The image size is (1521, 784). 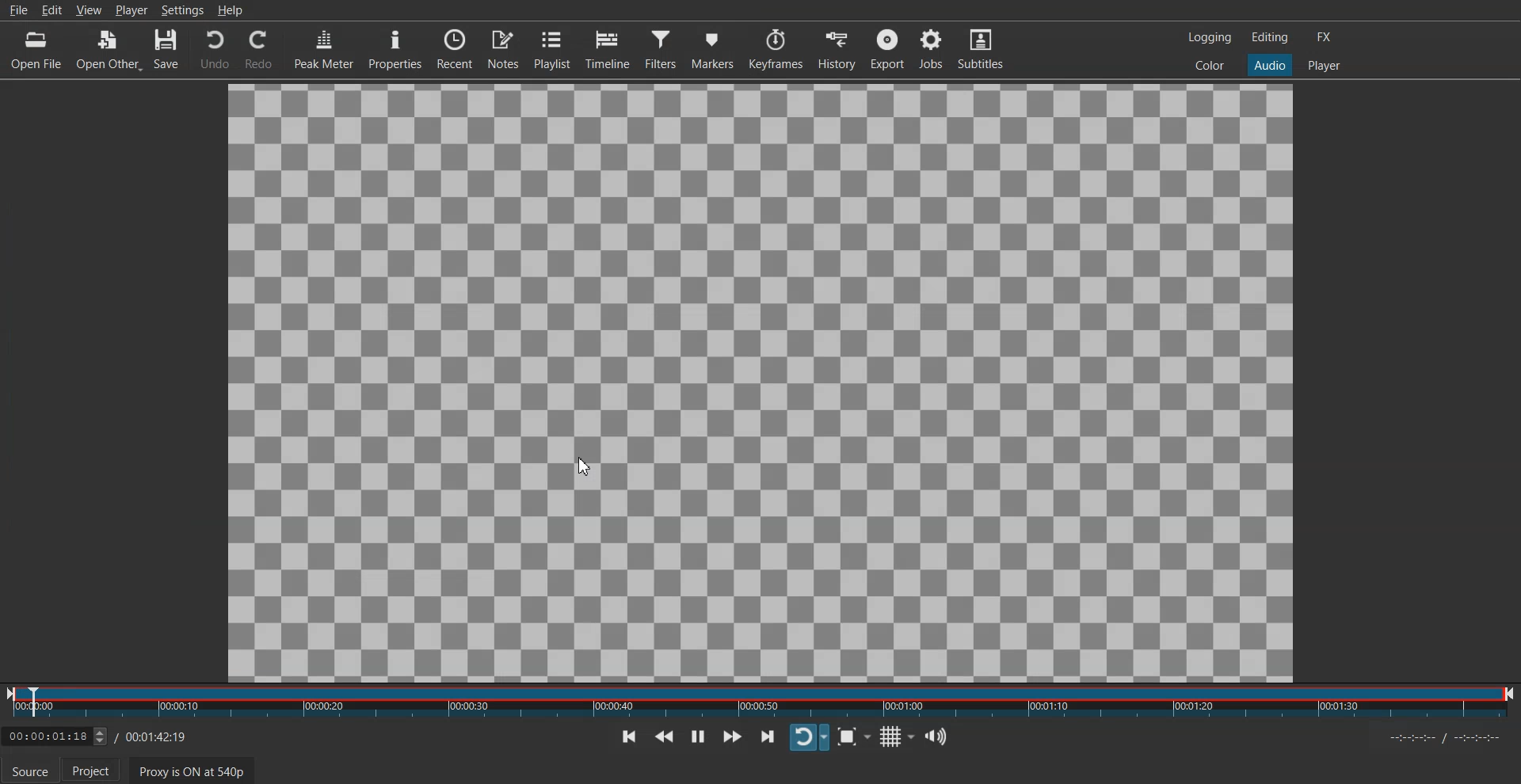 I want to click on Markers, so click(x=712, y=49).